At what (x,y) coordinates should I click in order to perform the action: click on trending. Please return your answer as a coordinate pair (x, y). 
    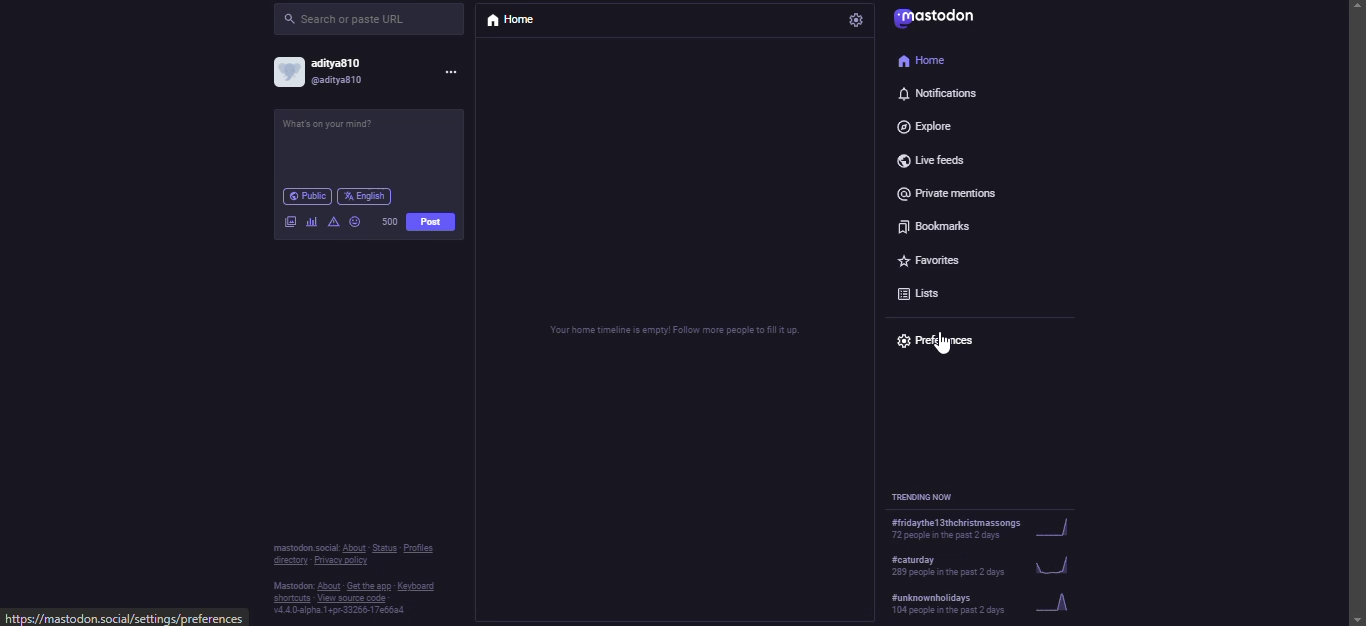
    Looking at the image, I should click on (1003, 563).